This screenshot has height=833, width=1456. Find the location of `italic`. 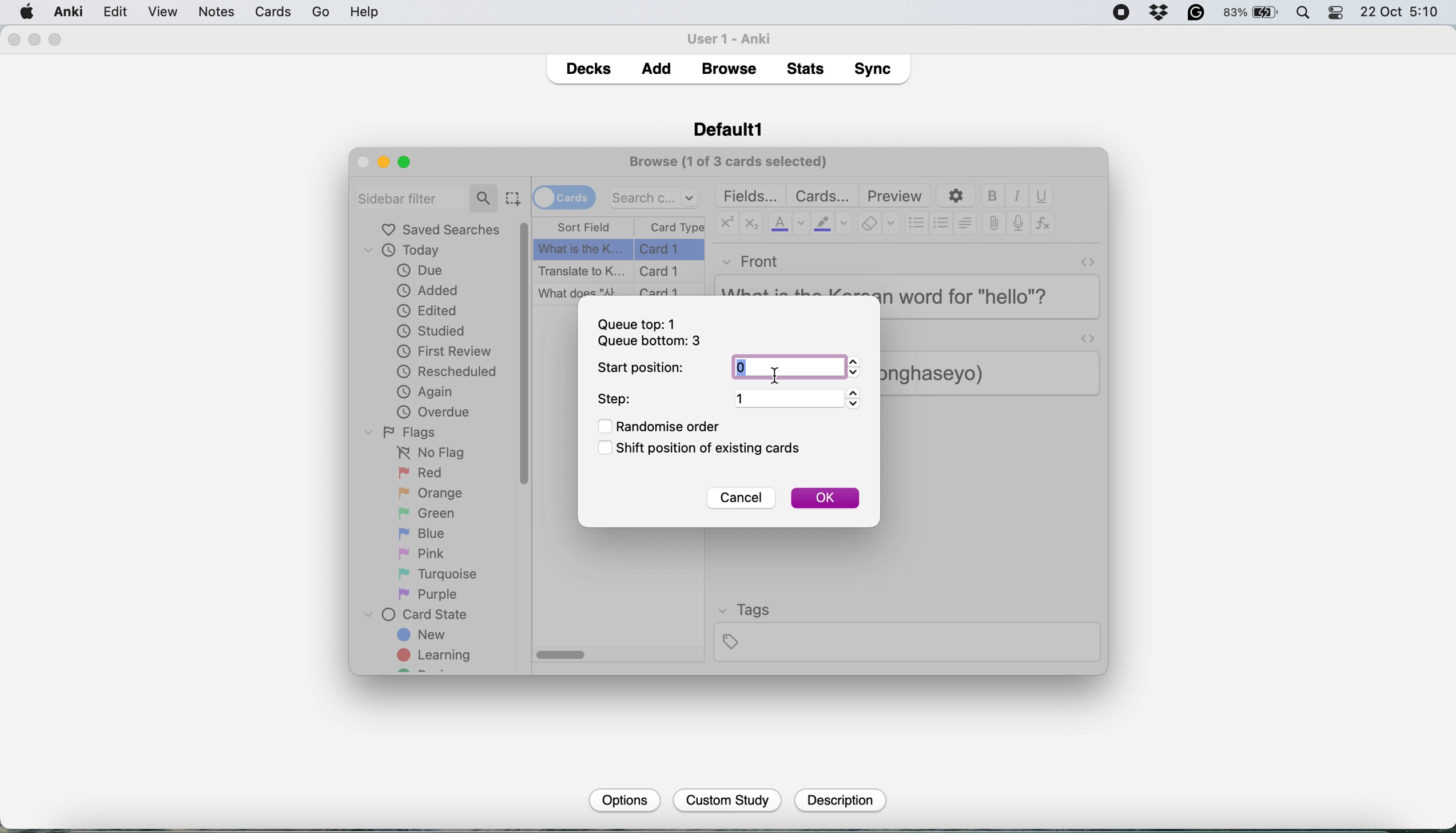

italic is located at coordinates (1019, 196).